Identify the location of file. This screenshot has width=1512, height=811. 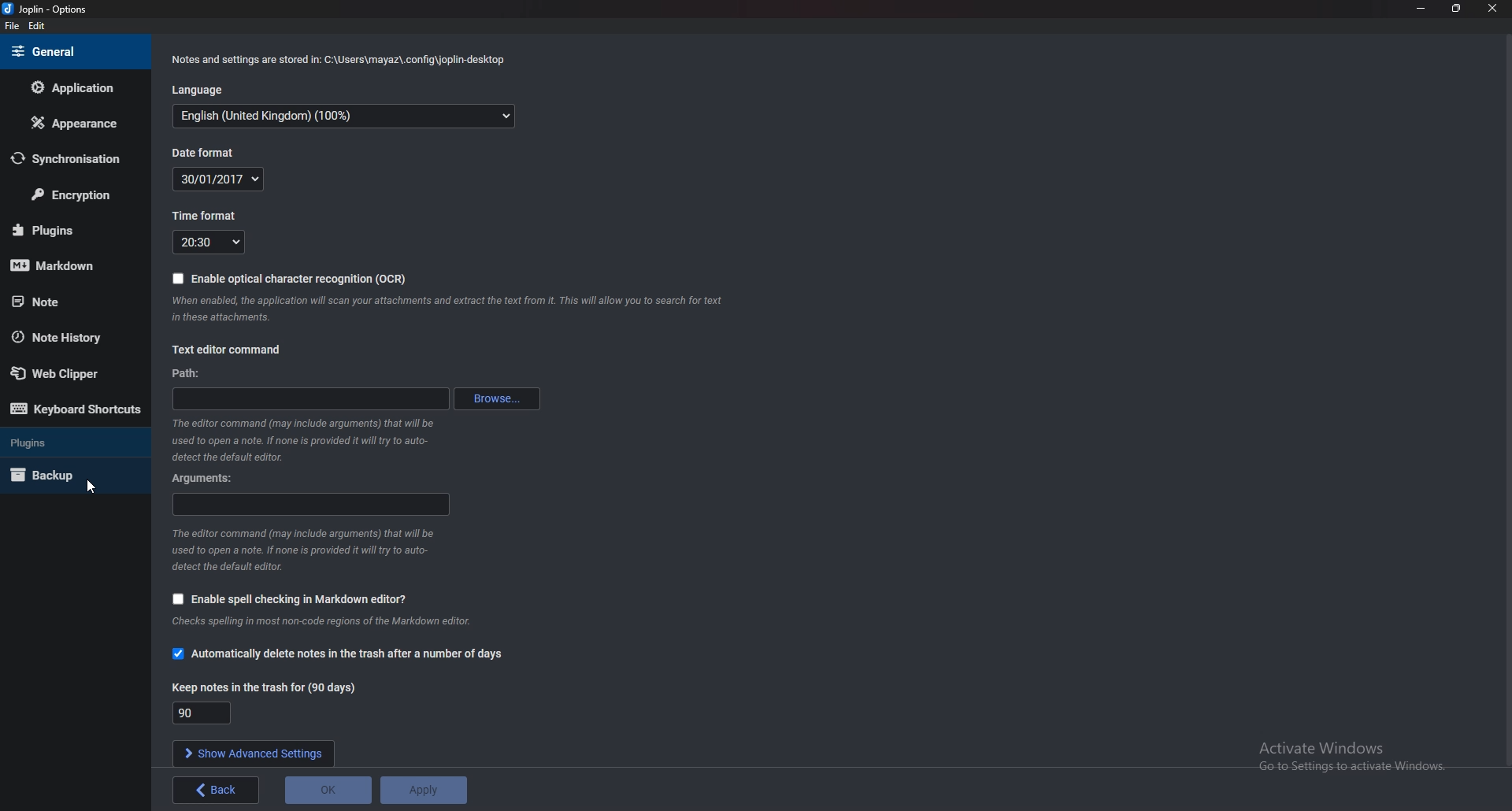
(11, 27).